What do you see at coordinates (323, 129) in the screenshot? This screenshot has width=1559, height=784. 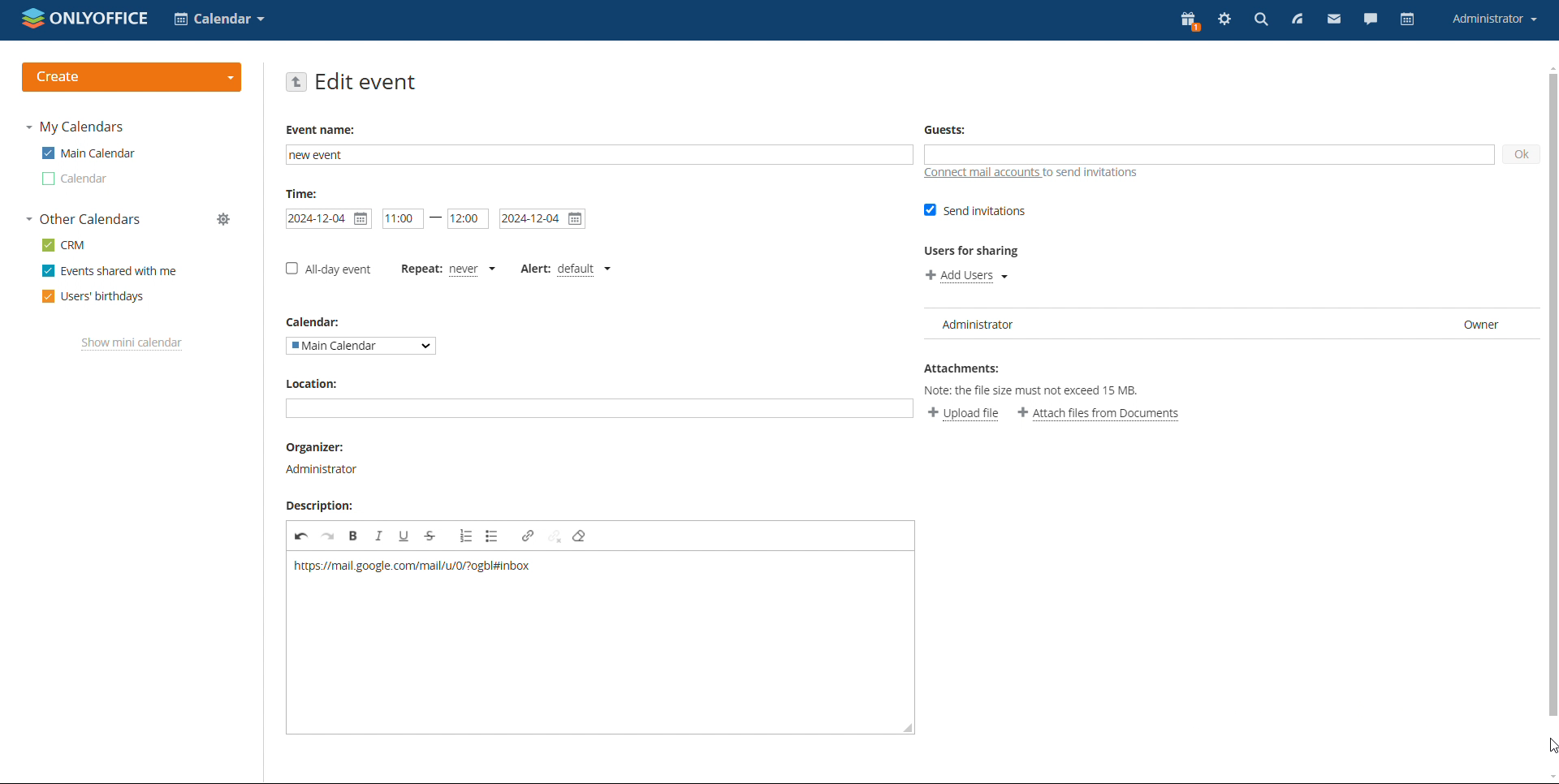 I see `Event name:` at bounding box center [323, 129].